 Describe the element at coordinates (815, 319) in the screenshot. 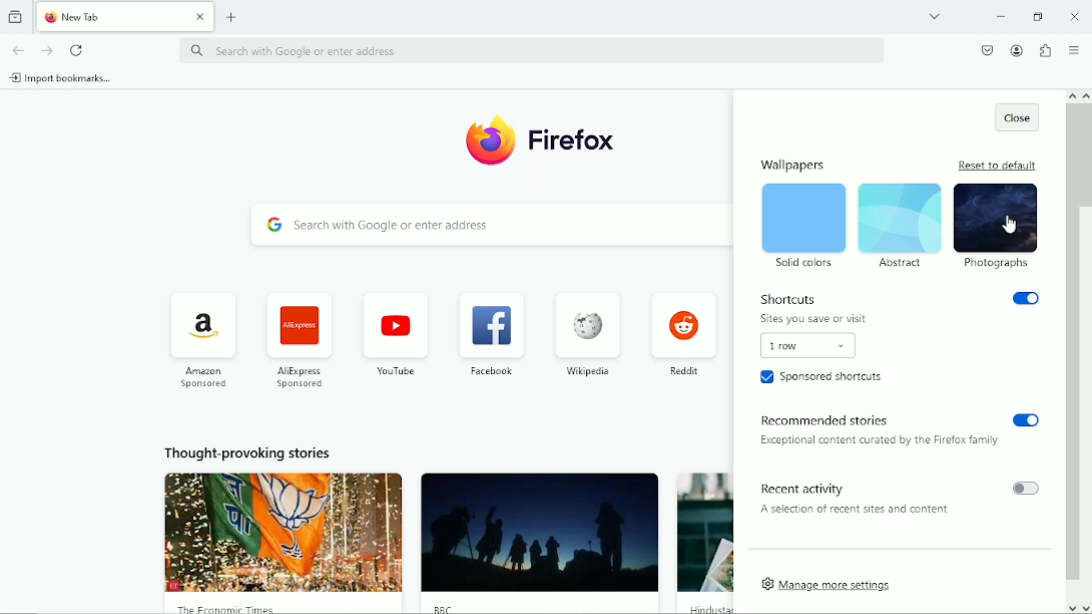

I see `Sites you save or visit` at that location.